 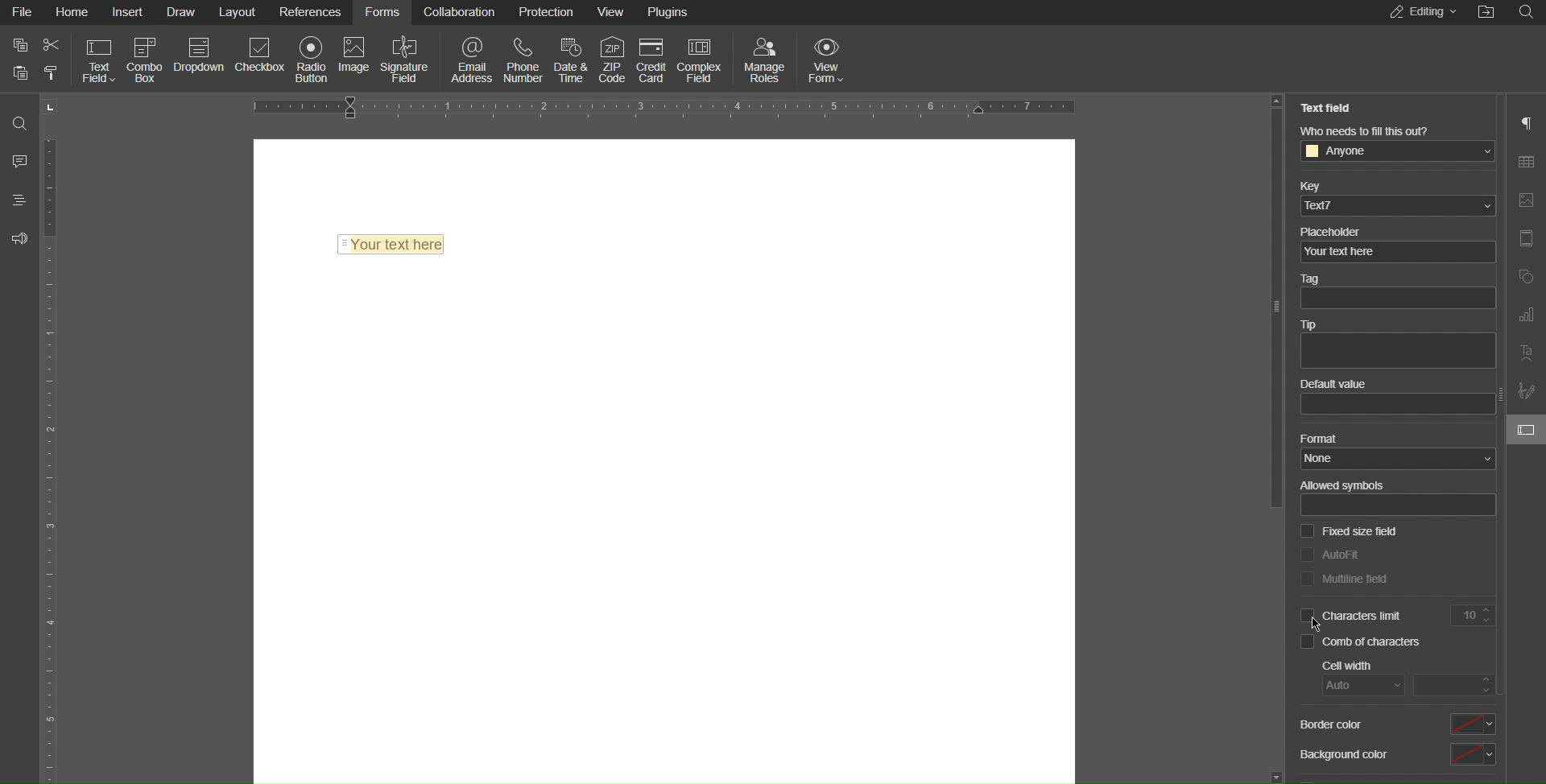 What do you see at coordinates (467, 59) in the screenshot?
I see `Email Address` at bounding box center [467, 59].